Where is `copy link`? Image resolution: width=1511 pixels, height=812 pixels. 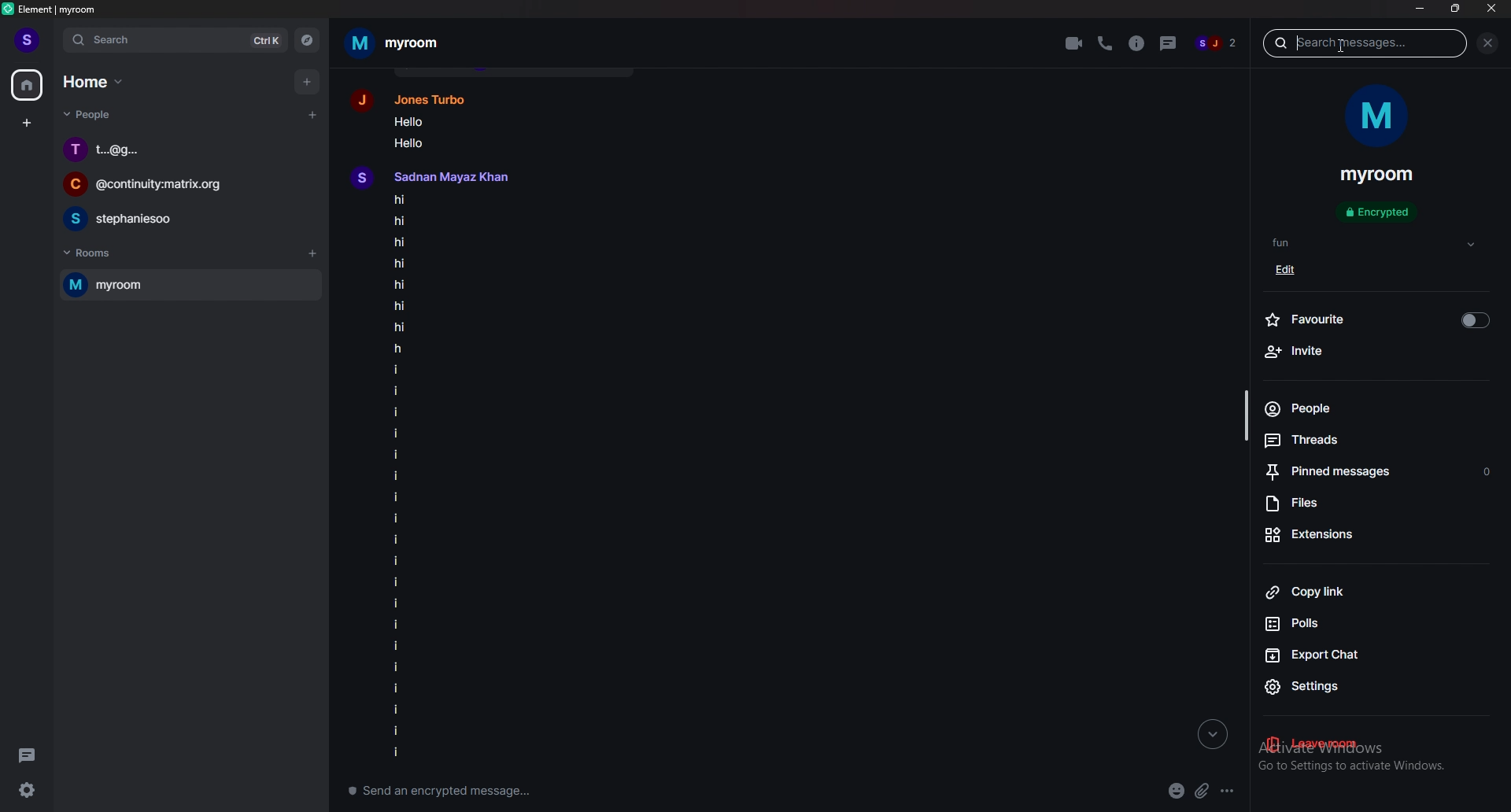
copy link is located at coordinates (1345, 591).